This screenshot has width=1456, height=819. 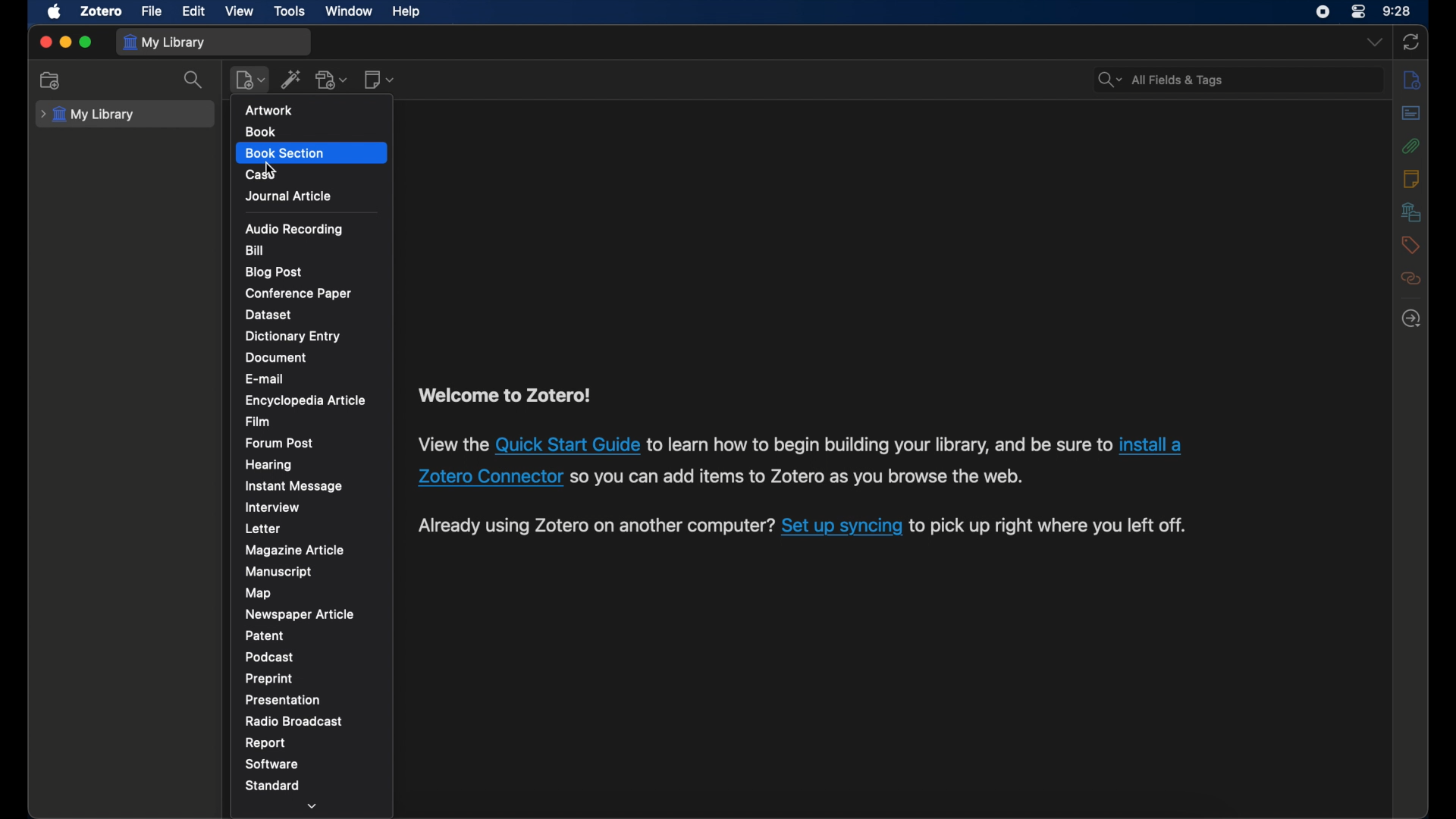 What do you see at coordinates (272, 507) in the screenshot?
I see `interview` at bounding box center [272, 507].